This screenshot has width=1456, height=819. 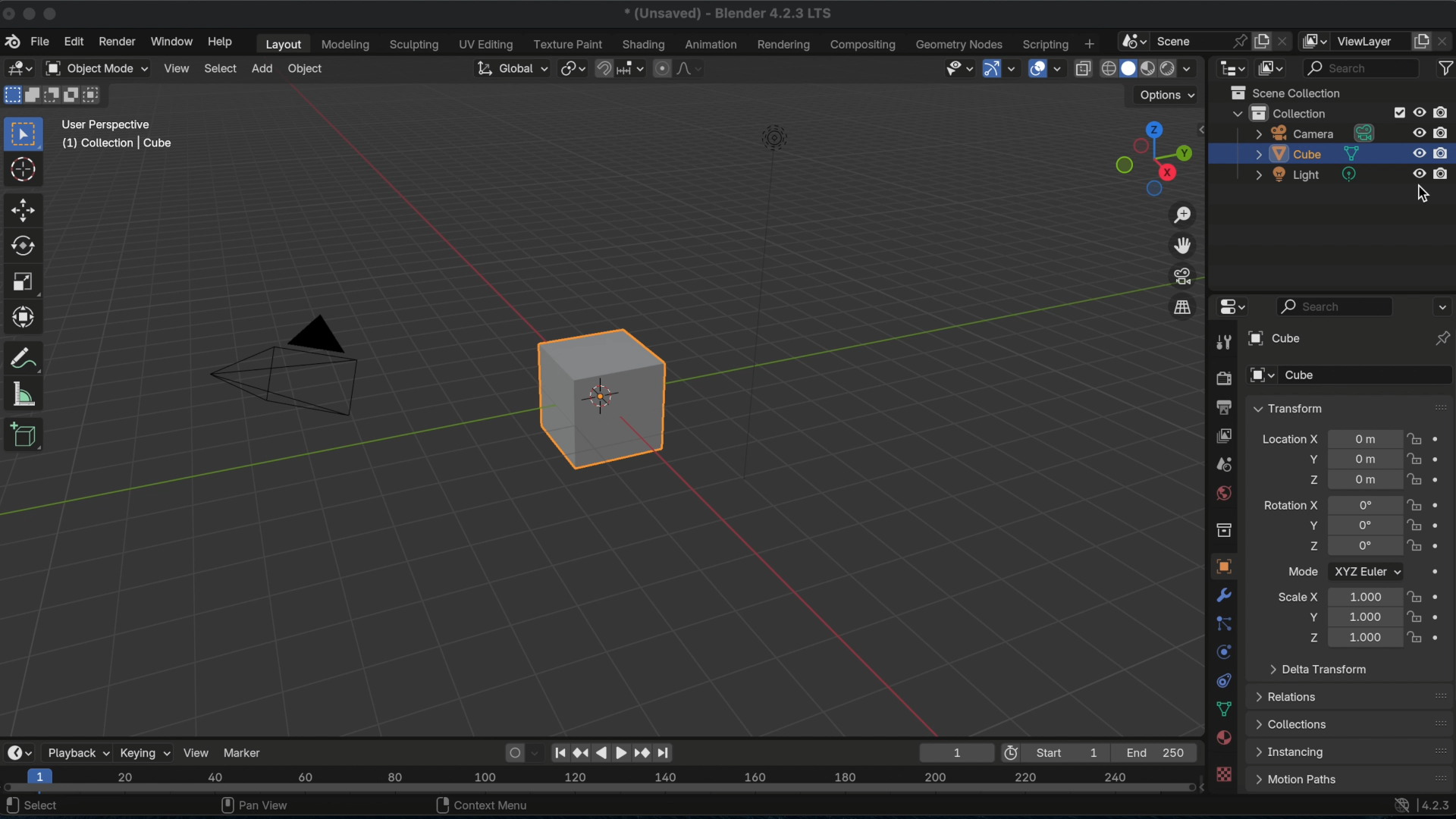 I want to click on preset viewpoints, so click(x=1153, y=159).